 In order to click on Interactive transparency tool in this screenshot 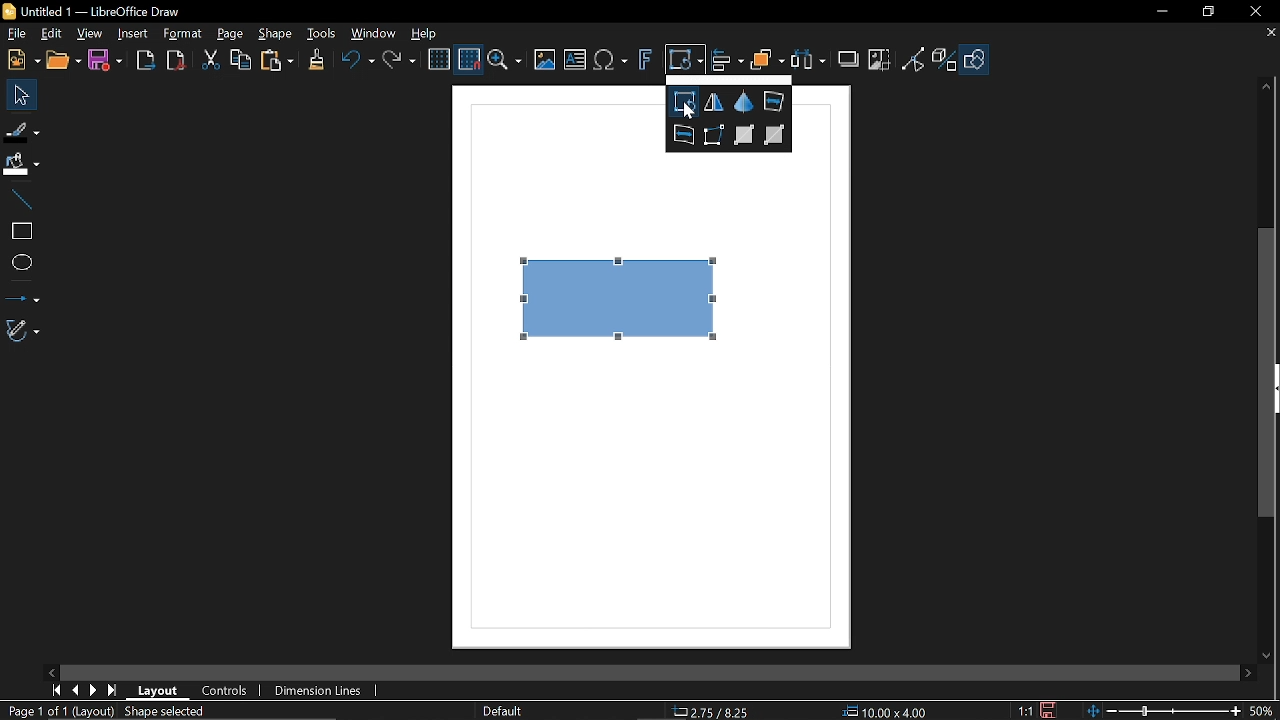, I will do `click(745, 134)`.